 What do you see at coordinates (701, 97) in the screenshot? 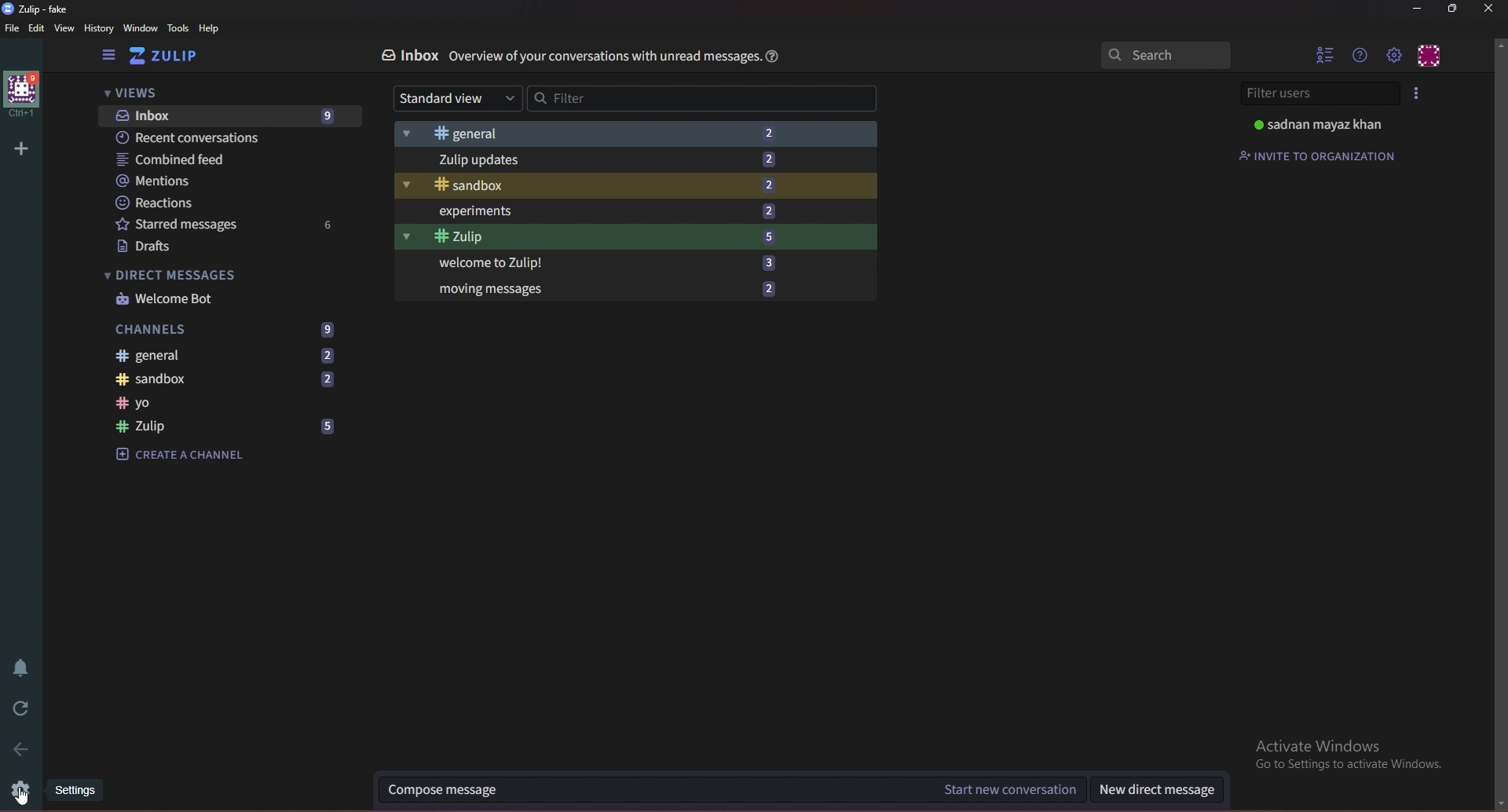
I see `Filter` at bounding box center [701, 97].